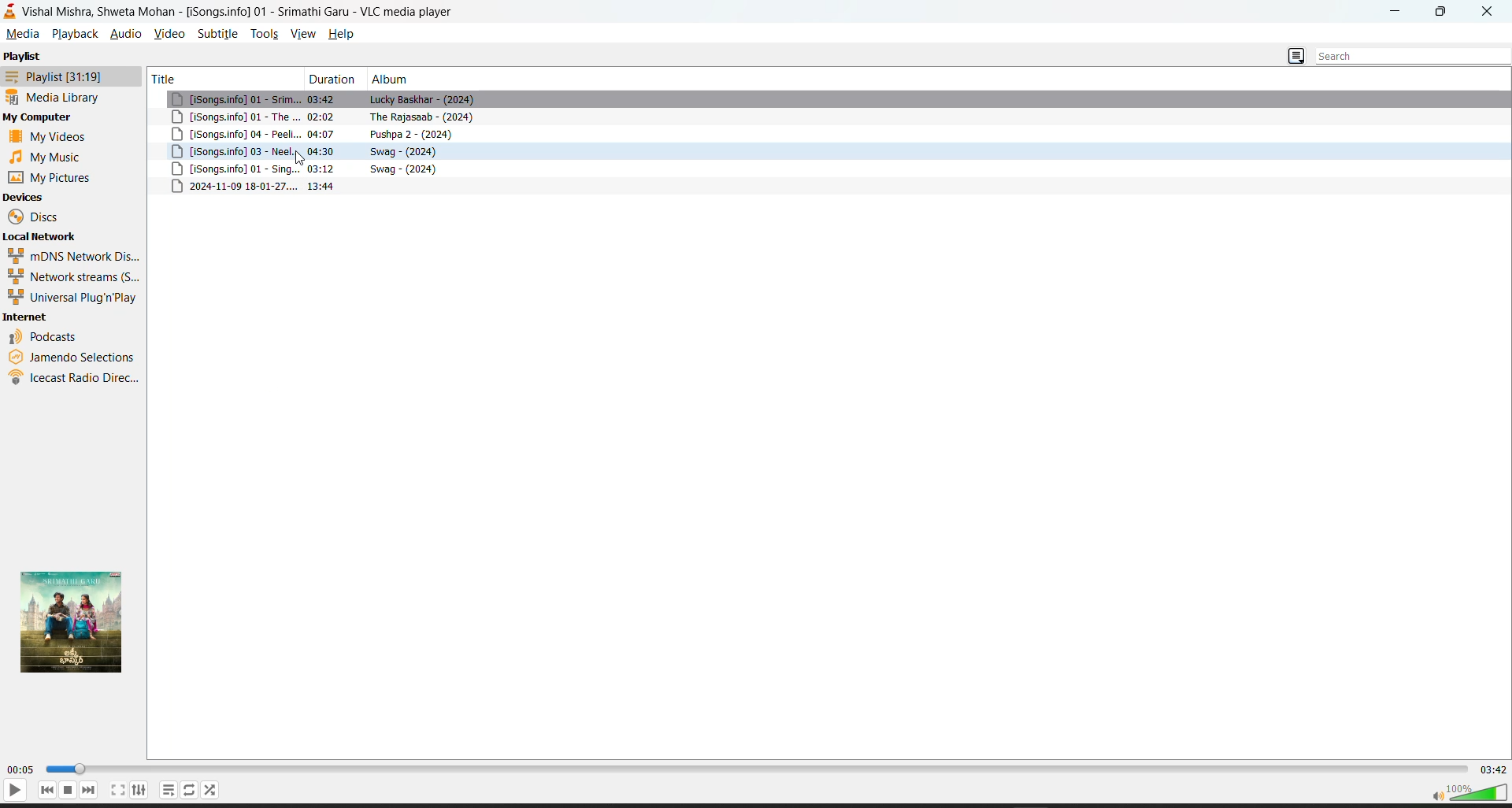 This screenshot has height=808, width=1512. What do you see at coordinates (39, 117) in the screenshot?
I see `my computer` at bounding box center [39, 117].